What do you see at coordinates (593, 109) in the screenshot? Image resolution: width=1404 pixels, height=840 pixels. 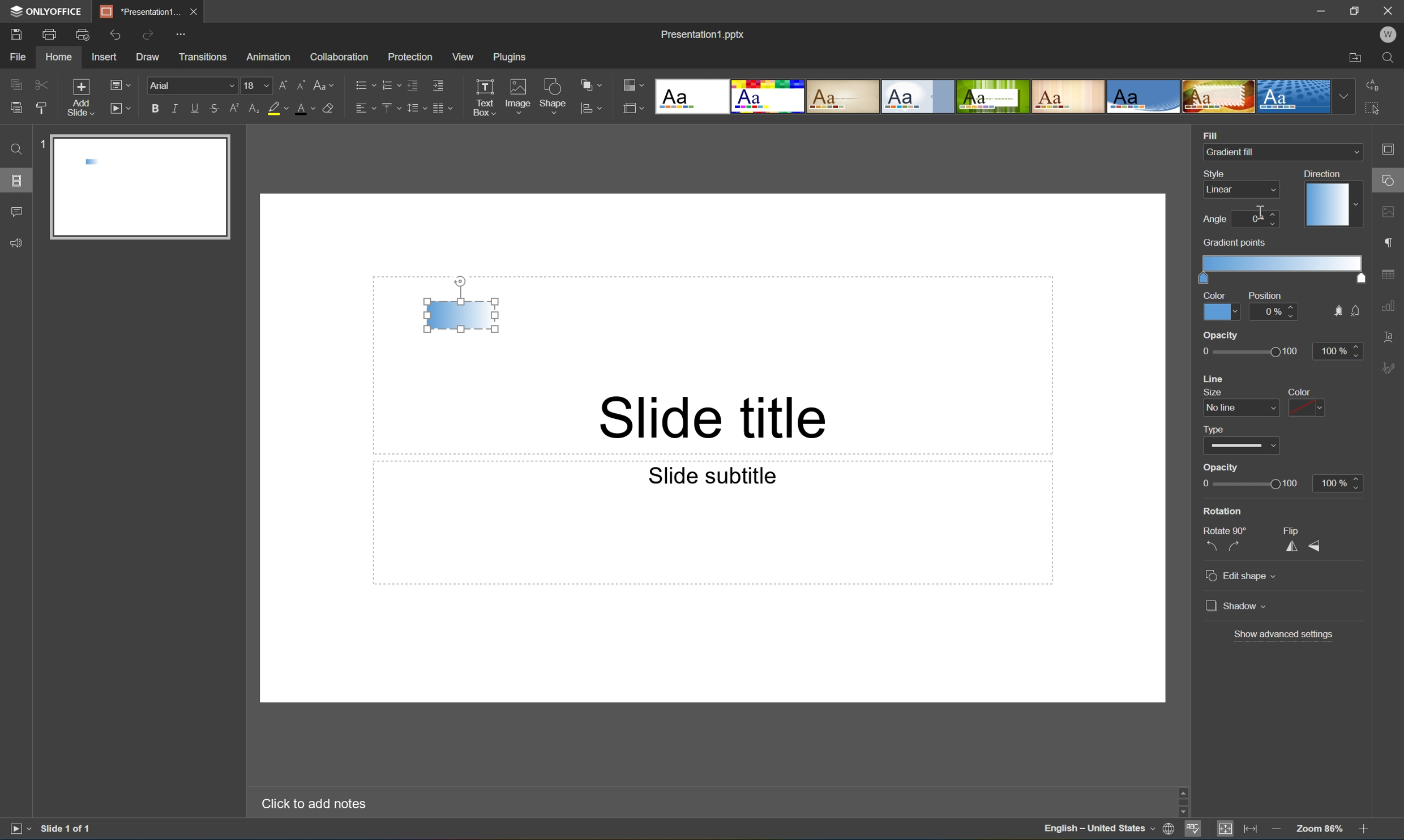 I see `align shape` at bounding box center [593, 109].